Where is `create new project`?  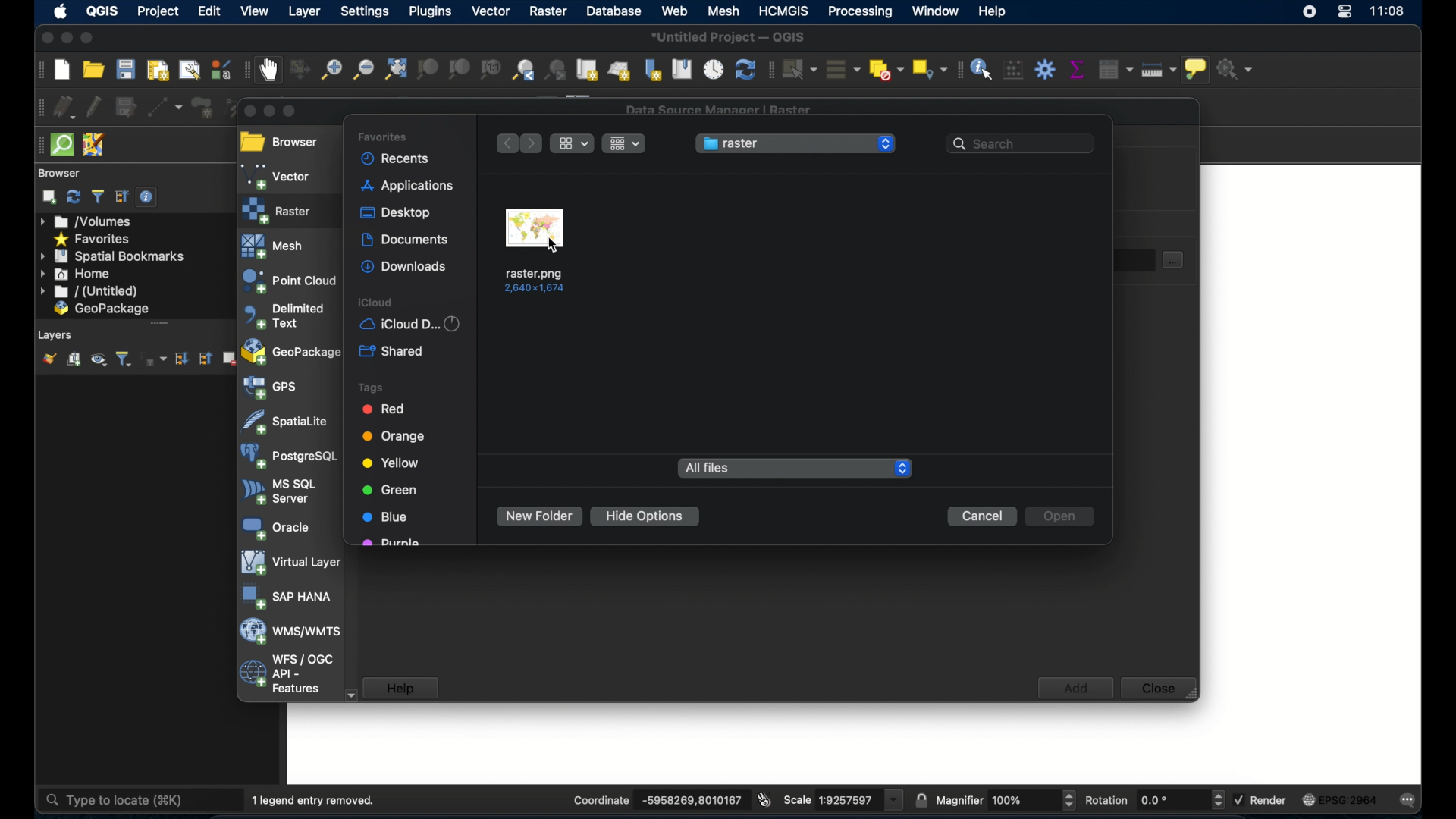
create new project is located at coordinates (61, 70).